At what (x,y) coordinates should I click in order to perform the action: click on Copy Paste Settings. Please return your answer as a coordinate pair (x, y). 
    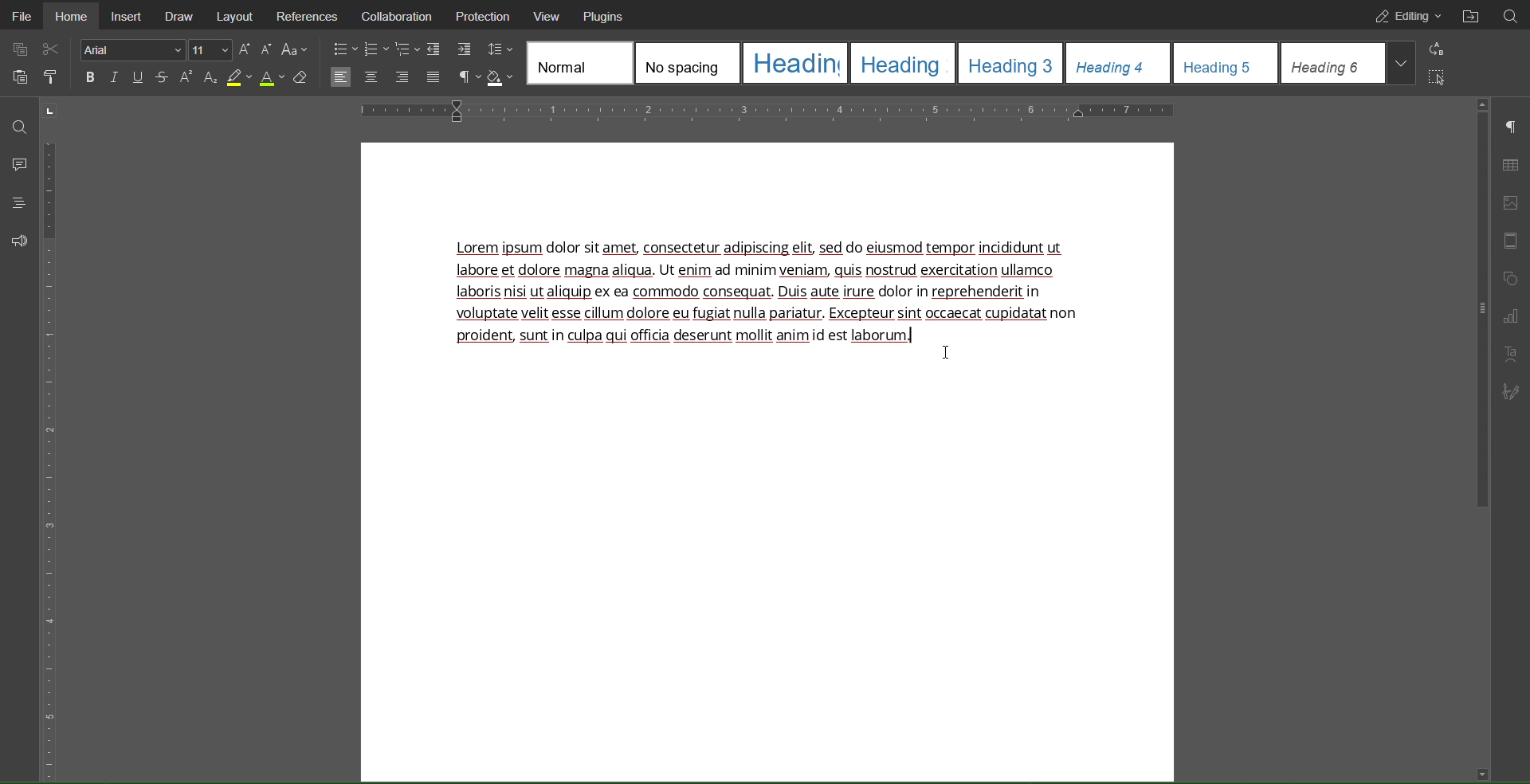
    Looking at the image, I should click on (18, 48).